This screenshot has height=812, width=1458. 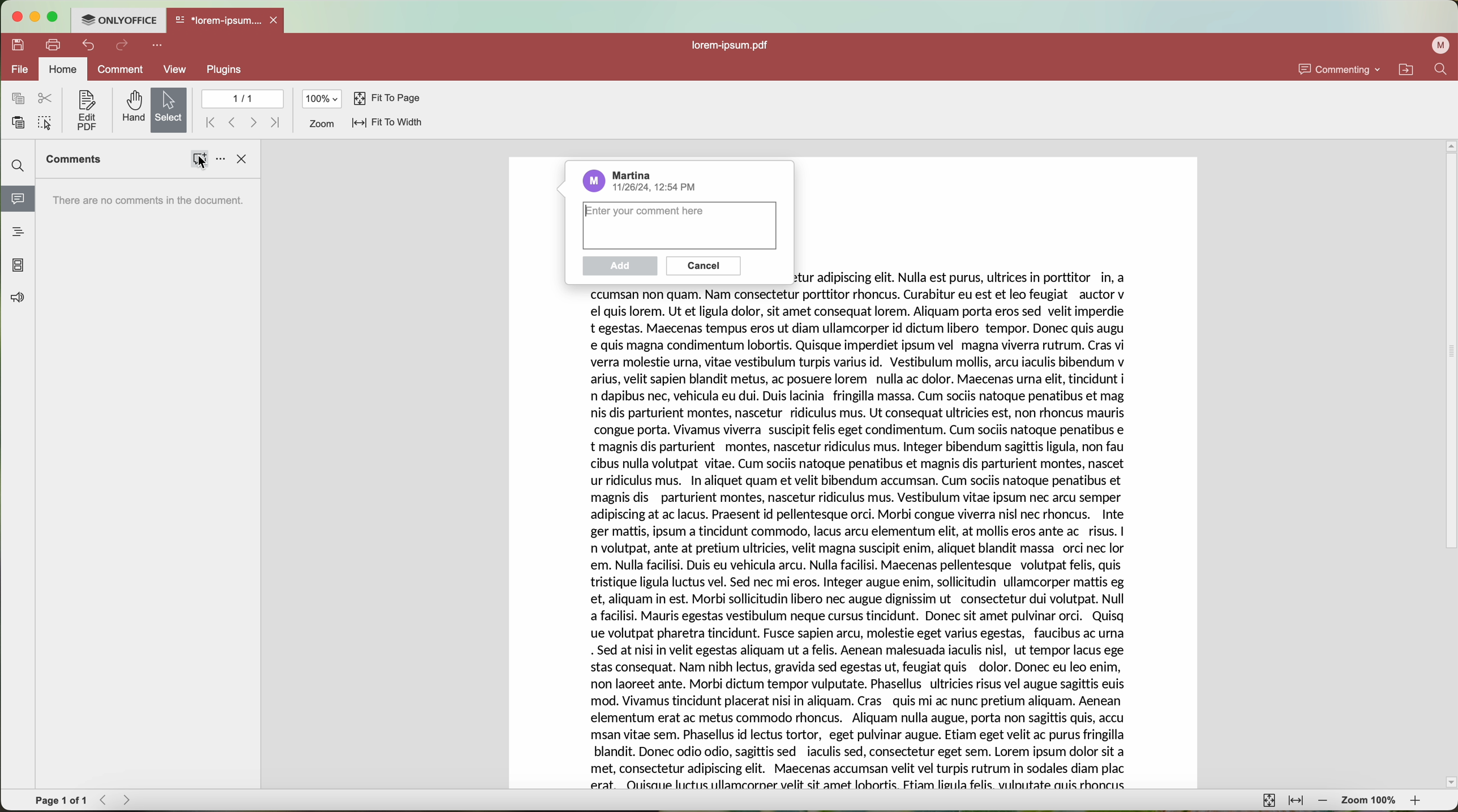 I want to click on find, so click(x=20, y=166).